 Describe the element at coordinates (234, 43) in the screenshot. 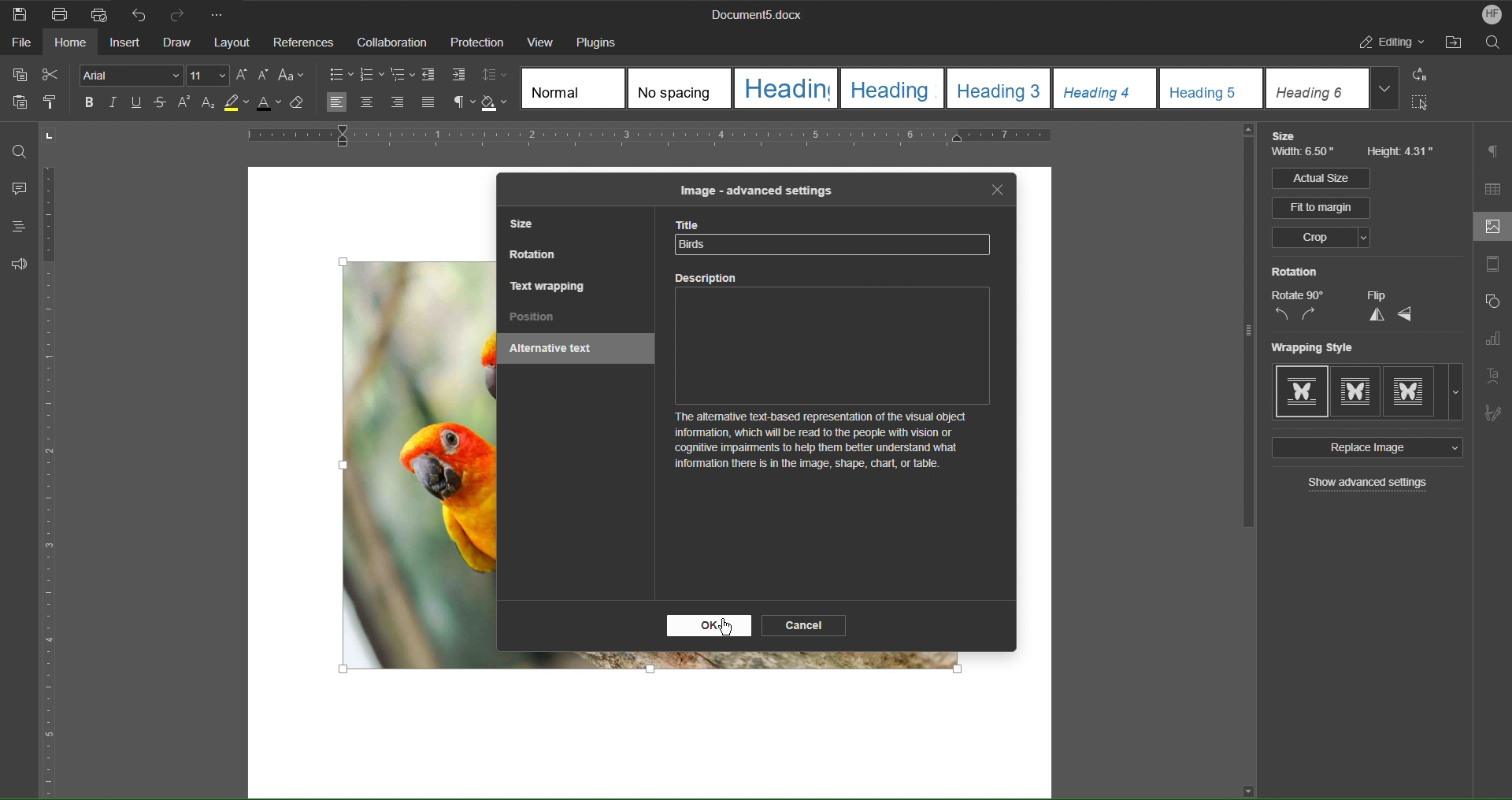

I see `Layout` at that location.